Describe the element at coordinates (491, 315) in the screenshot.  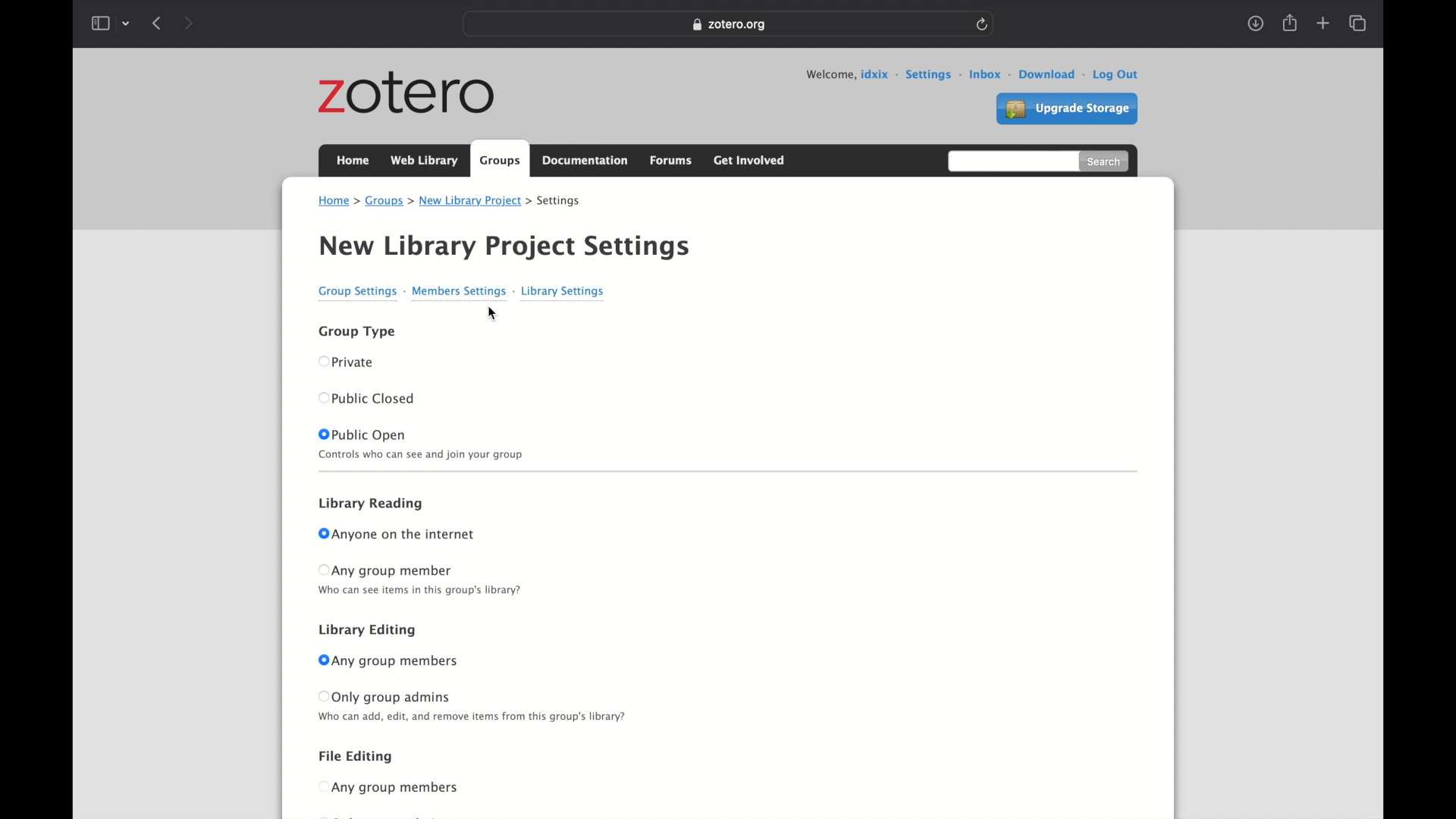
I see `cursor` at that location.